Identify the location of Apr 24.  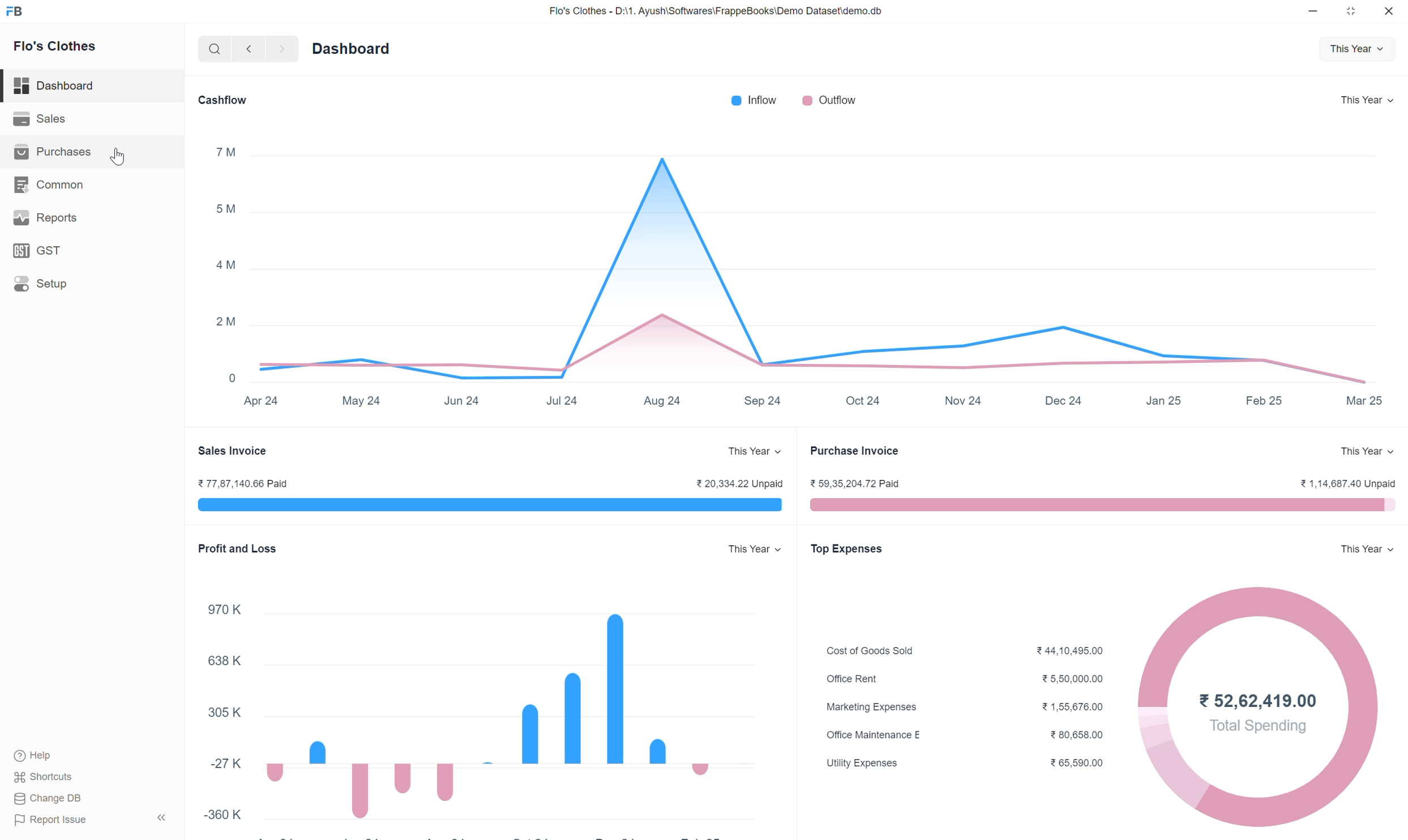
(262, 400).